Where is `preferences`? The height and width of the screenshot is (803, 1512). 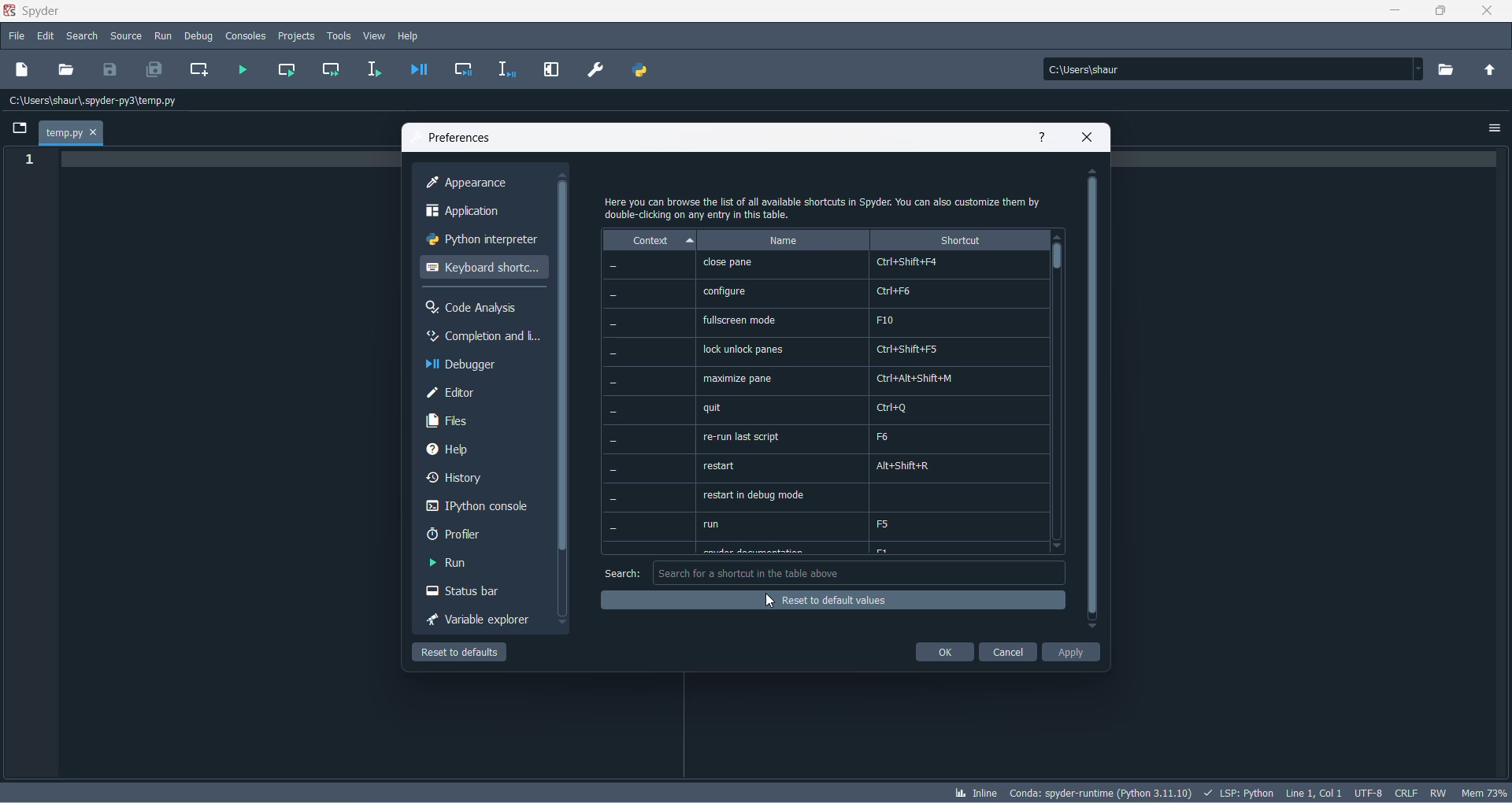 preferences is located at coordinates (459, 137).